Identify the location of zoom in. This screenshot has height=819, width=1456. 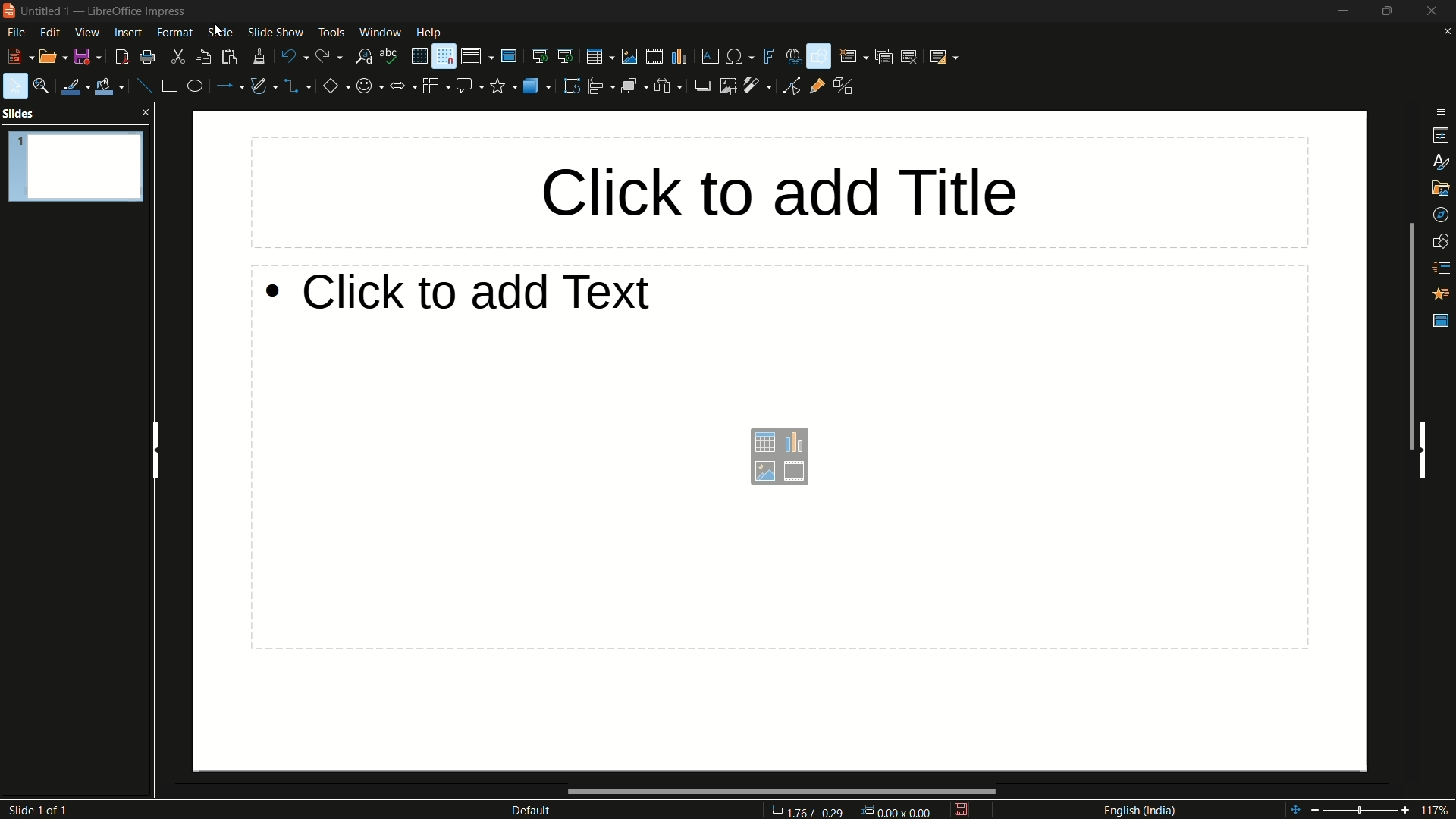
(1405, 812).